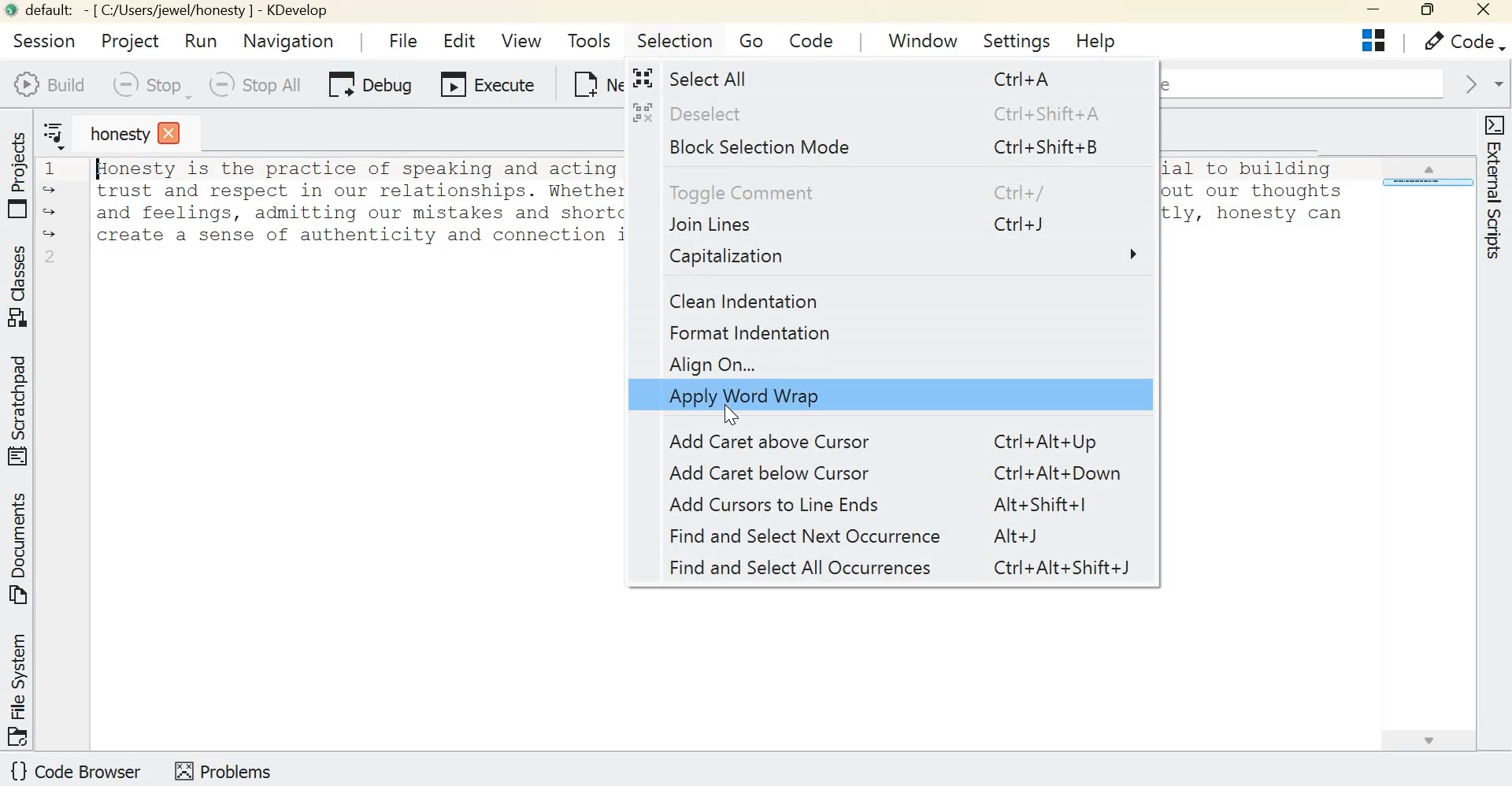 The height and width of the screenshot is (786, 1512). Describe the element at coordinates (20, 688) in the screenshot. I see `Toggle 'File system' tool view` at that location.